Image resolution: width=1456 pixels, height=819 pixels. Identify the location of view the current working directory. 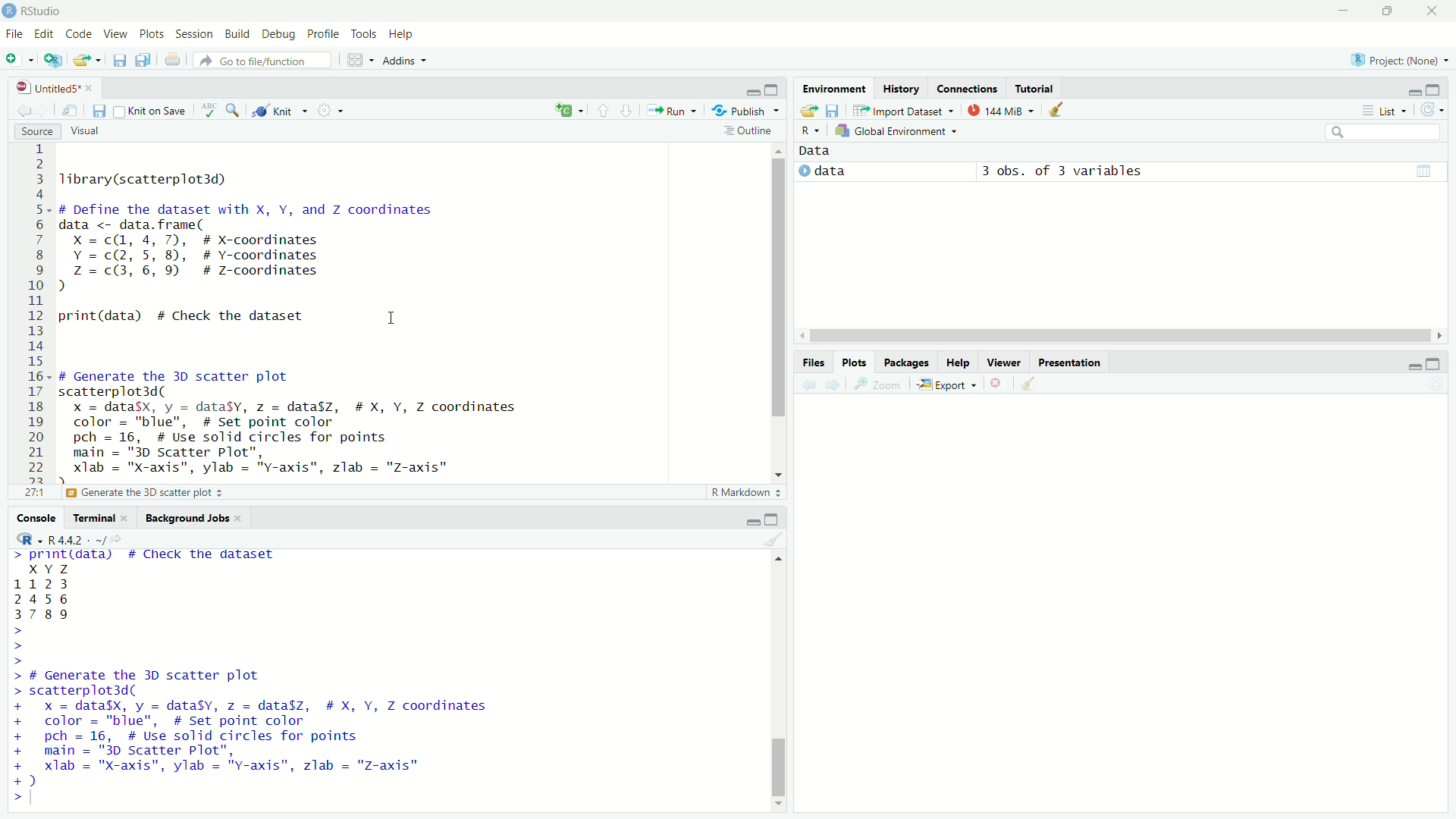
(121, 538).